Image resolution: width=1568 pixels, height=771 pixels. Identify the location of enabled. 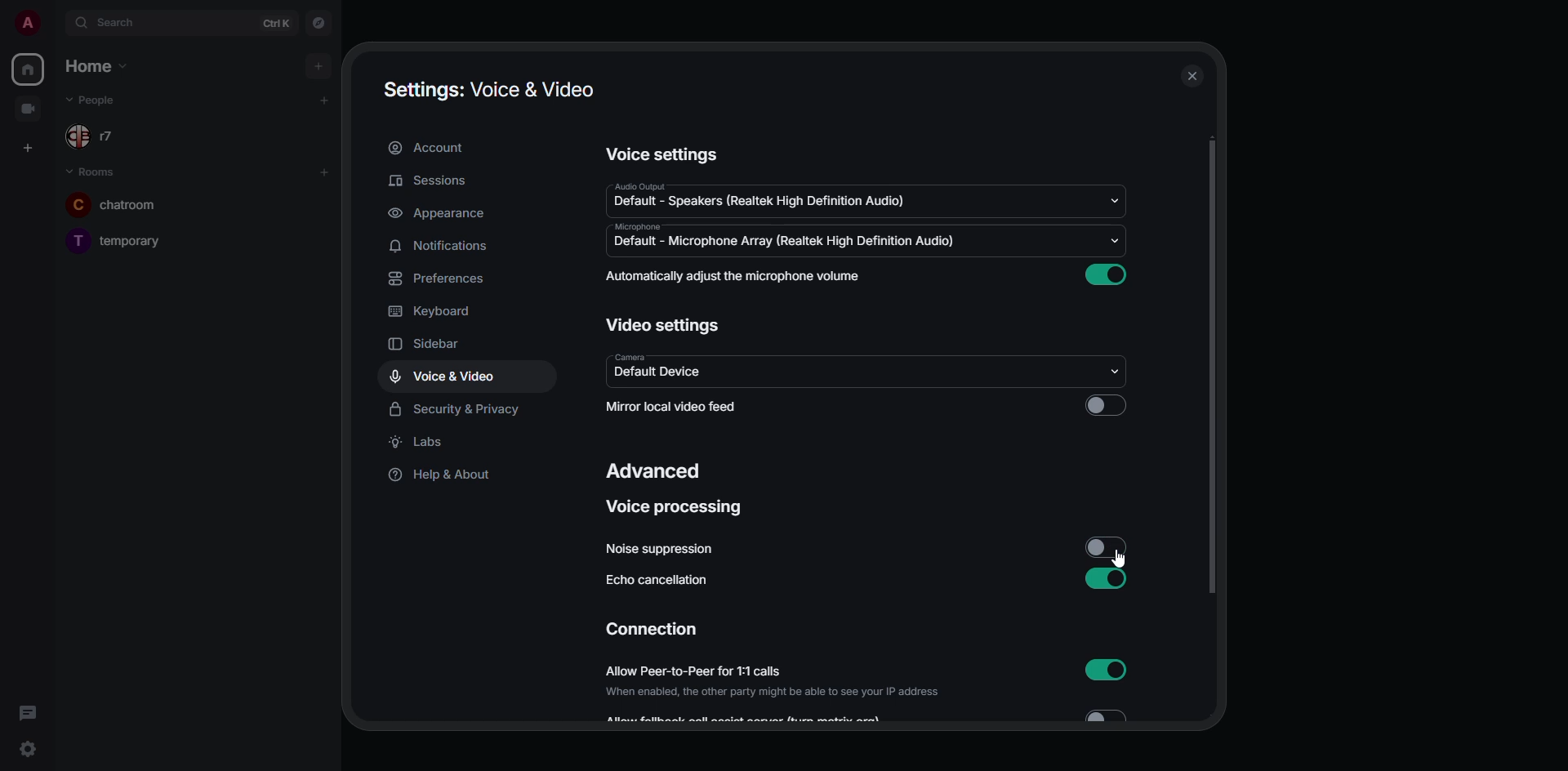
(1108, 577).